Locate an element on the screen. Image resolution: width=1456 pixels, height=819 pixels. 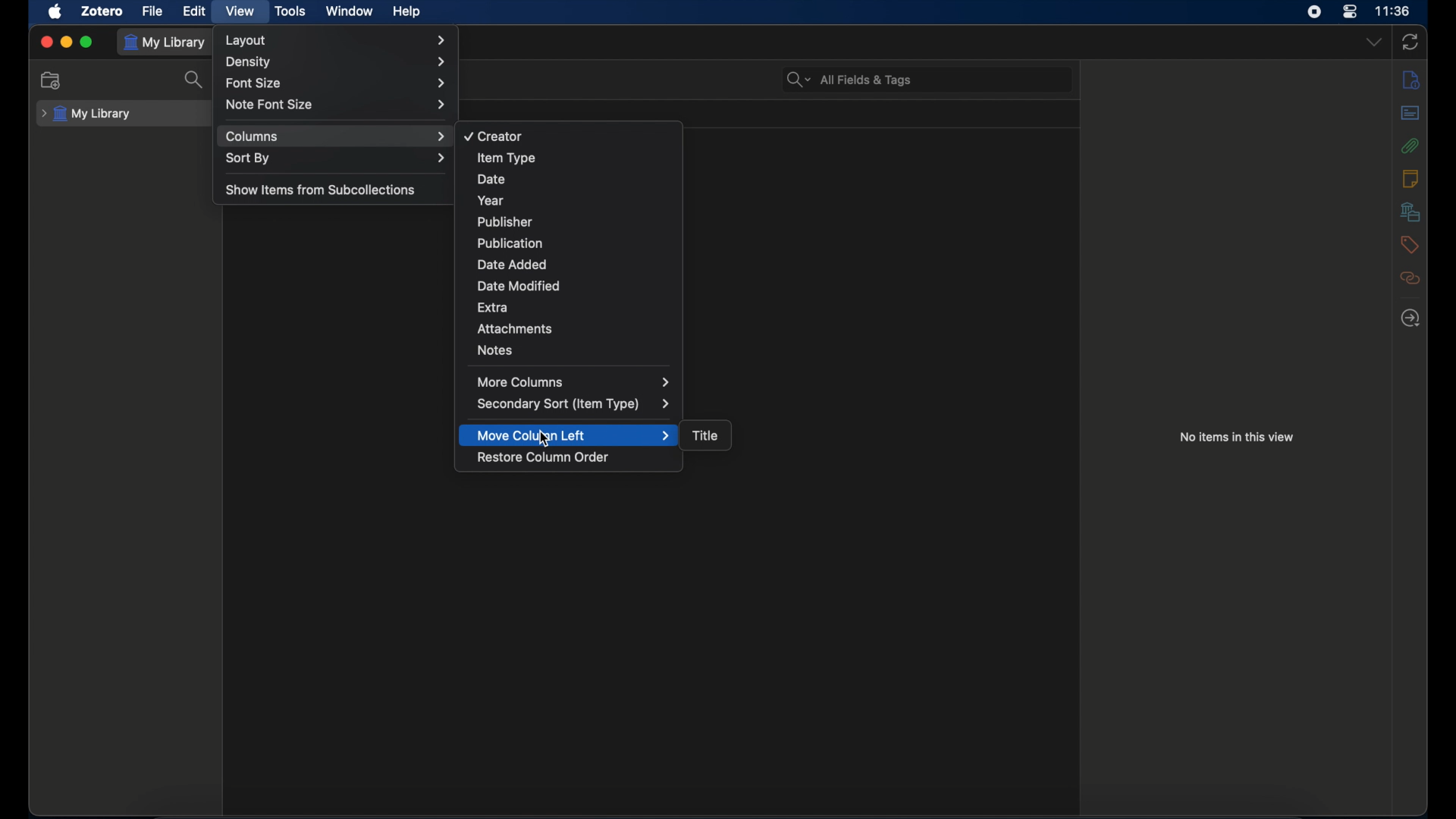
time is located at coordinates (1394, 11).